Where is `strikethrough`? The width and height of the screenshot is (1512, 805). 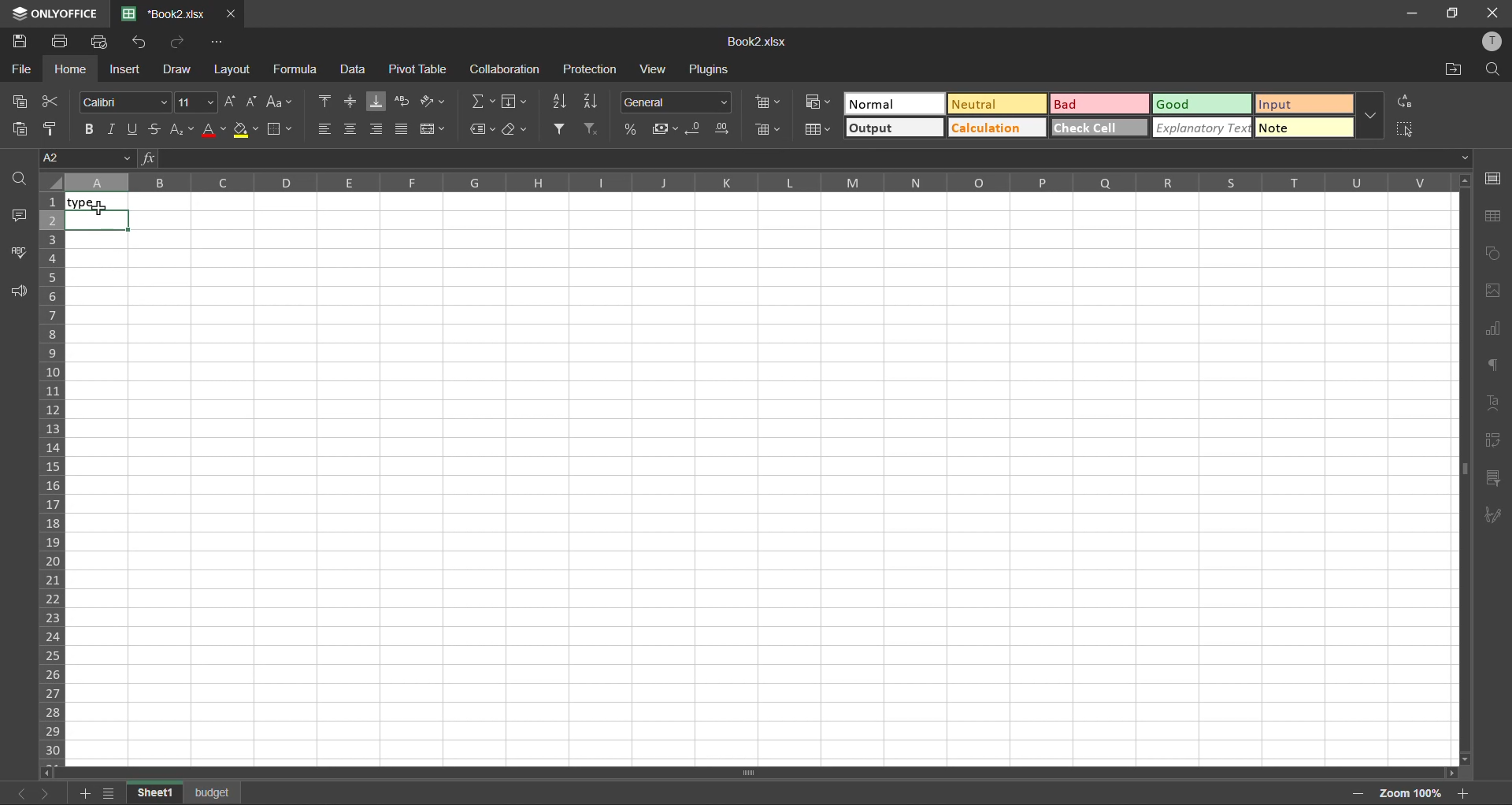
strikethrough is located at coordinates (154, 128).